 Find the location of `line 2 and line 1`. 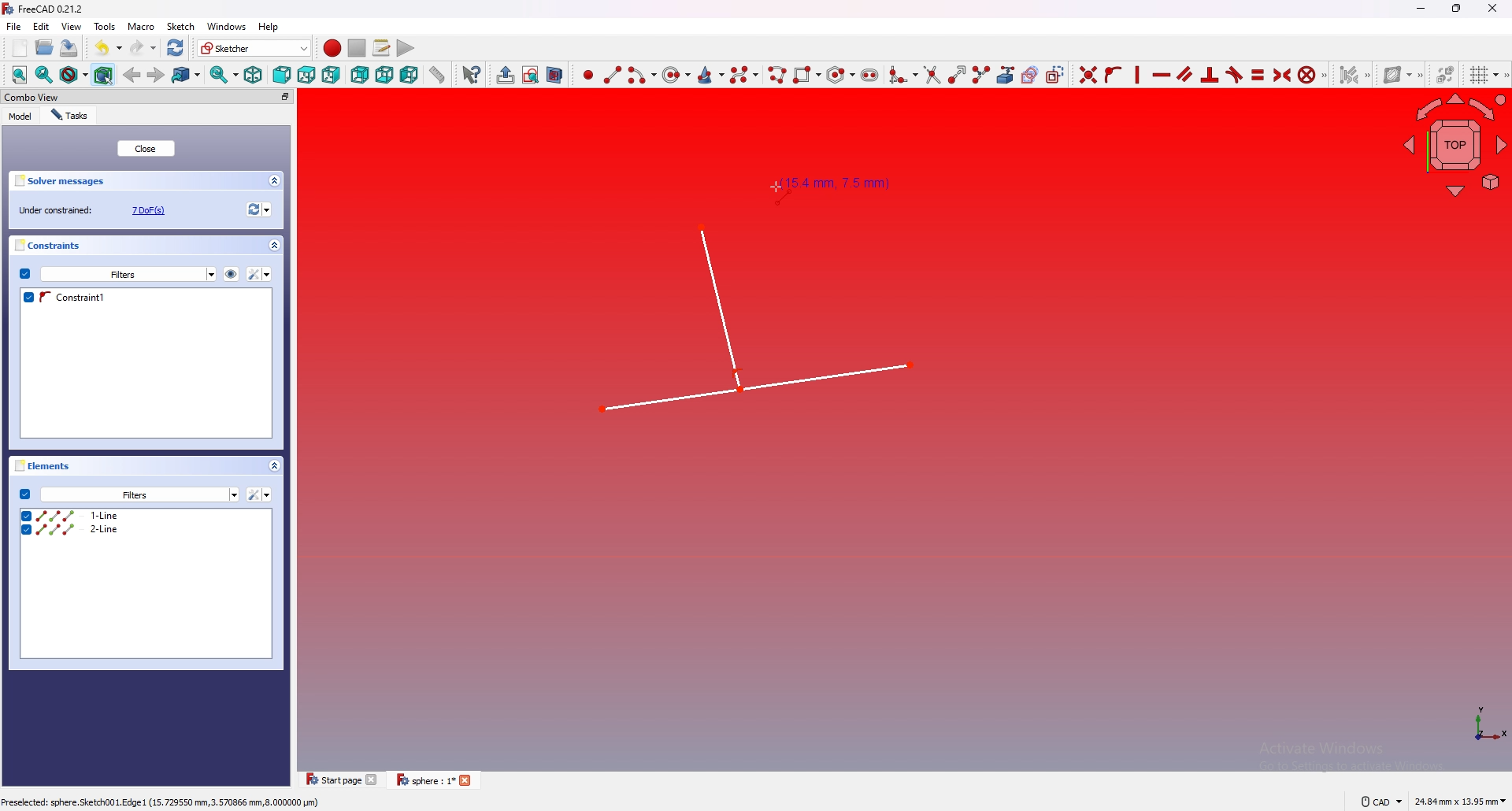

line 2 and line 1 is located at coordinates (750, 317).